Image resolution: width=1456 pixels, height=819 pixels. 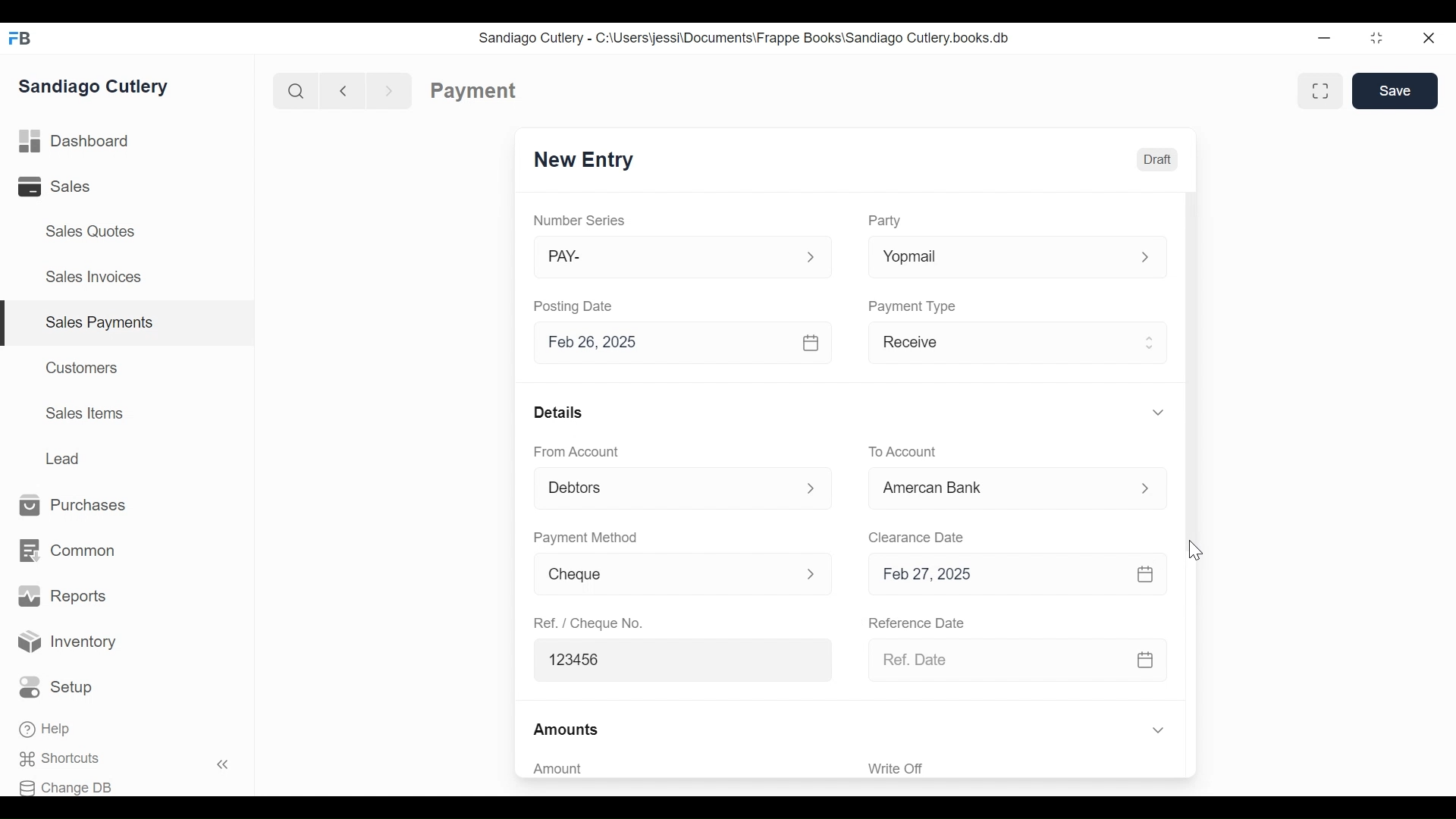 I want to click on Details, so click(x=558, y=411).